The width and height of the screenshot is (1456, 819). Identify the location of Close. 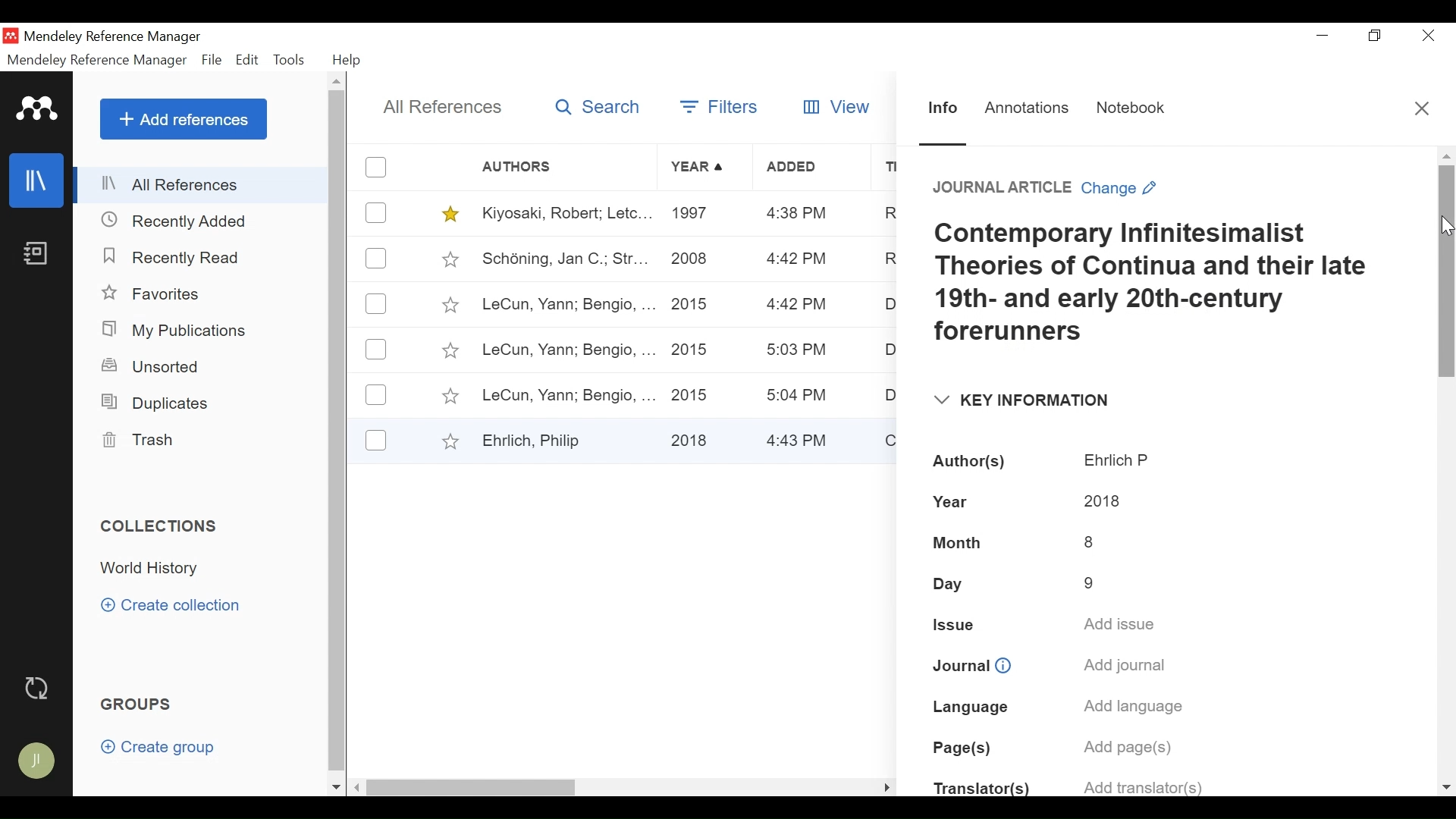
(1422, 108).